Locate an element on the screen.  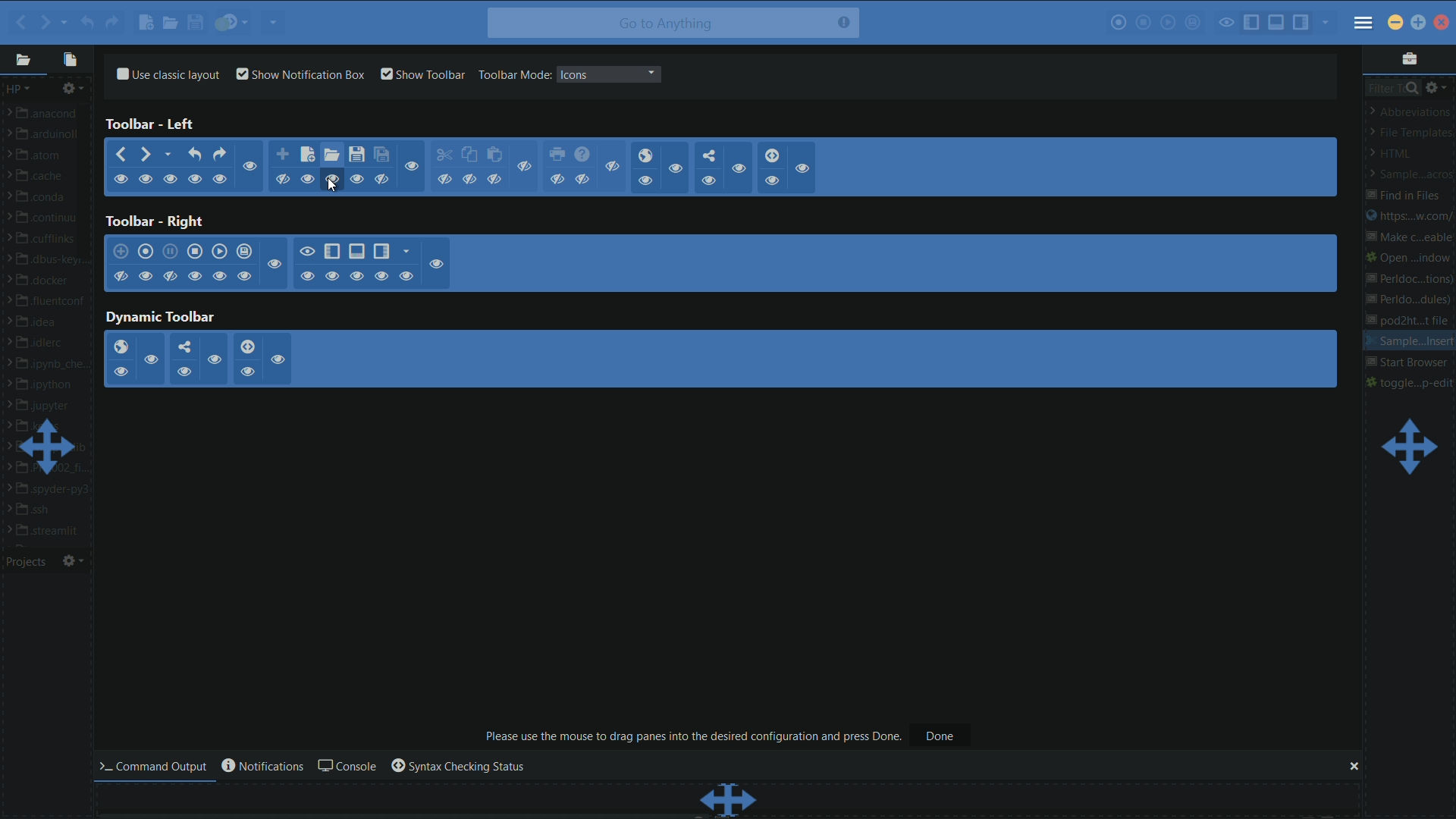
recent location is located at coordinates (171, 153).